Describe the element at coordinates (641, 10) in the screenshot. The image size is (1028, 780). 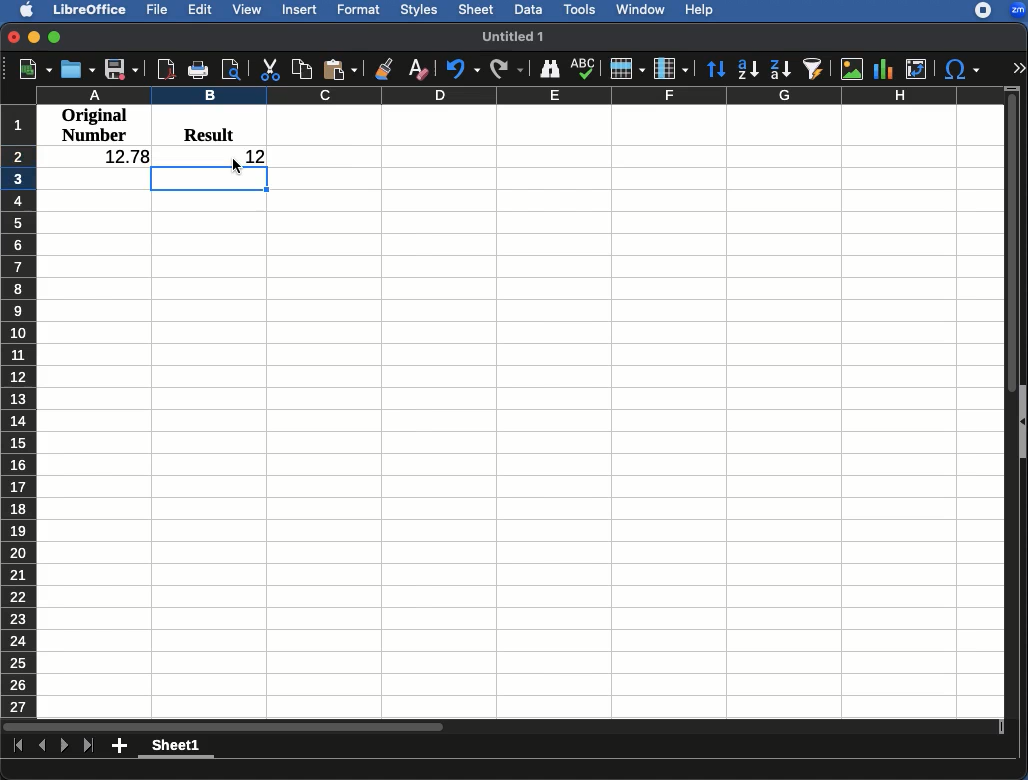
I see `Window` at that location.